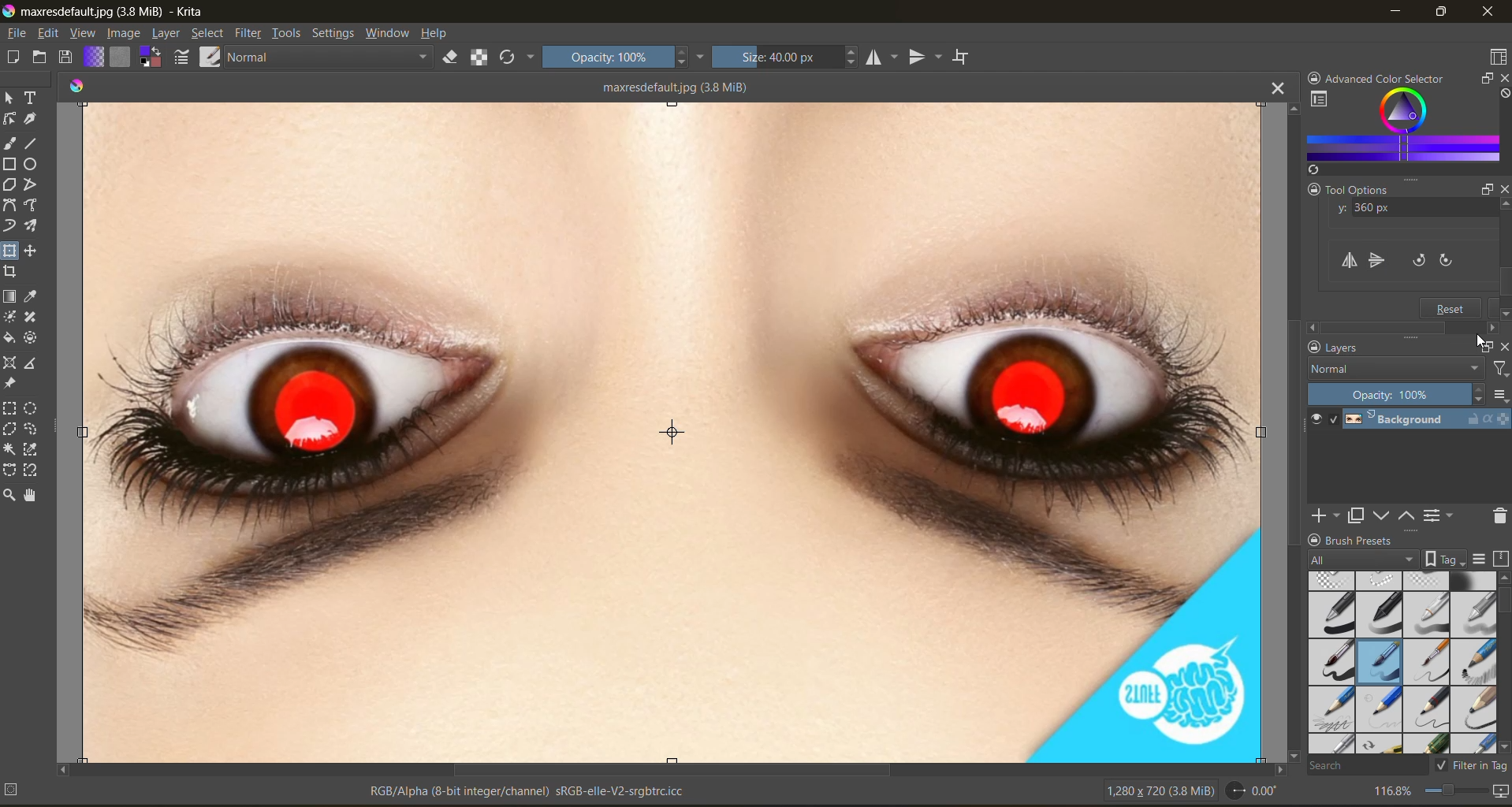 This screenshot has height=807, width=1512. I want to click on tool, so click(9, 383).